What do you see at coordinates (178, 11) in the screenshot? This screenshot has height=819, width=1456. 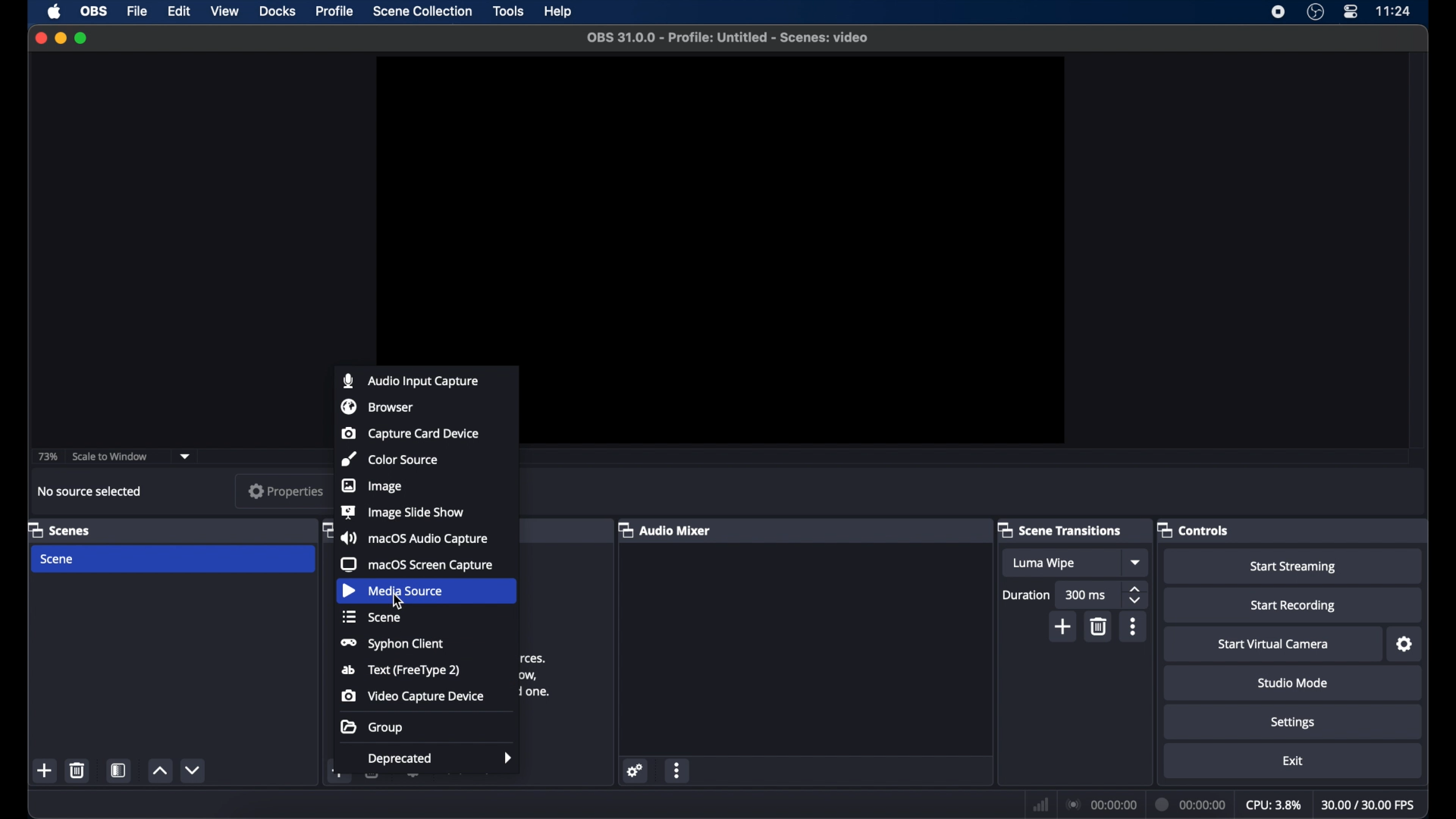 I see `edit` at bounding box center [178, 11].